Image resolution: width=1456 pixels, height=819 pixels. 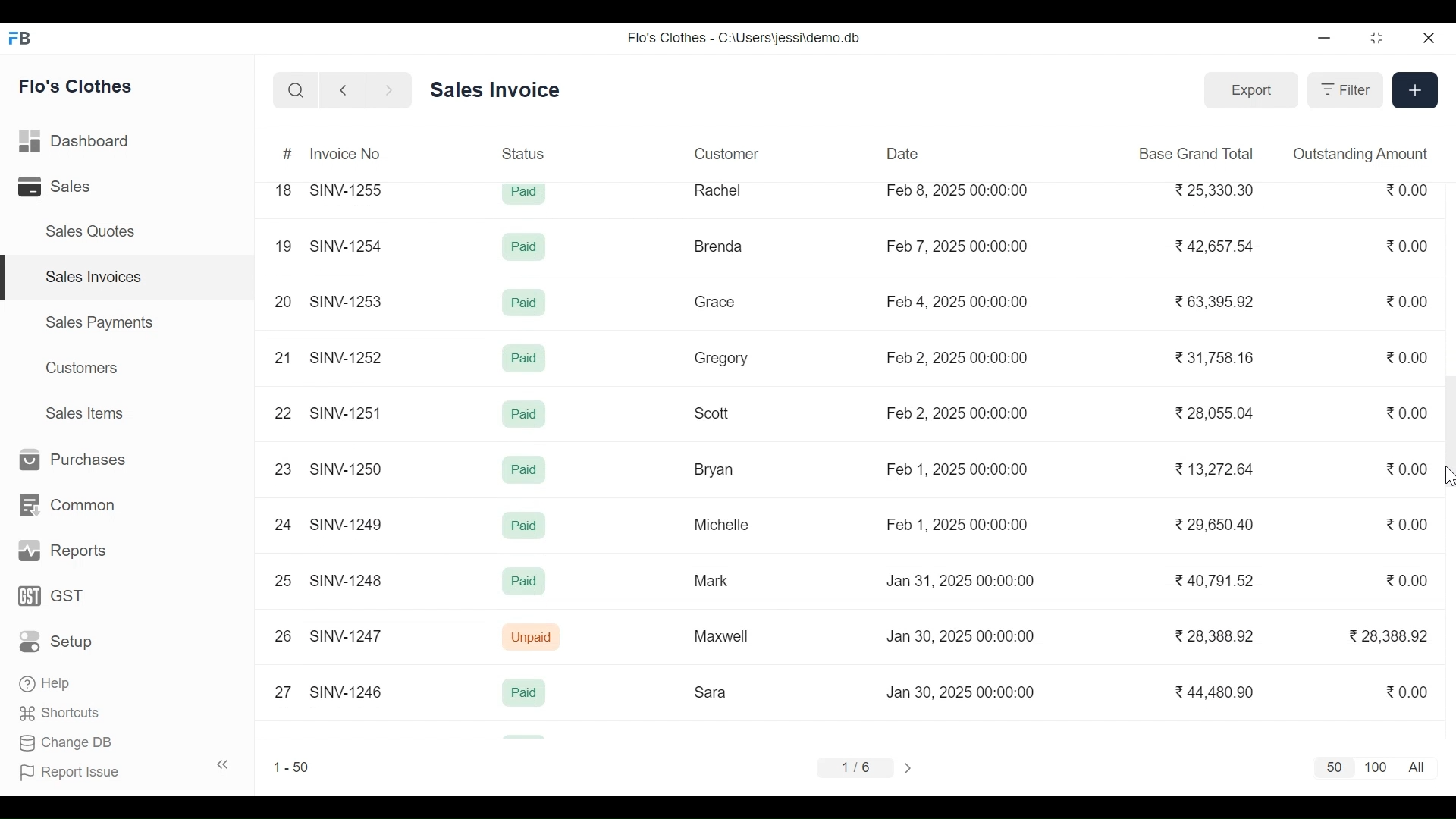 What do you see at coordinates (348, 300) in the screenshot?
I see `SINV-1253` at bounding box center [348, 300].